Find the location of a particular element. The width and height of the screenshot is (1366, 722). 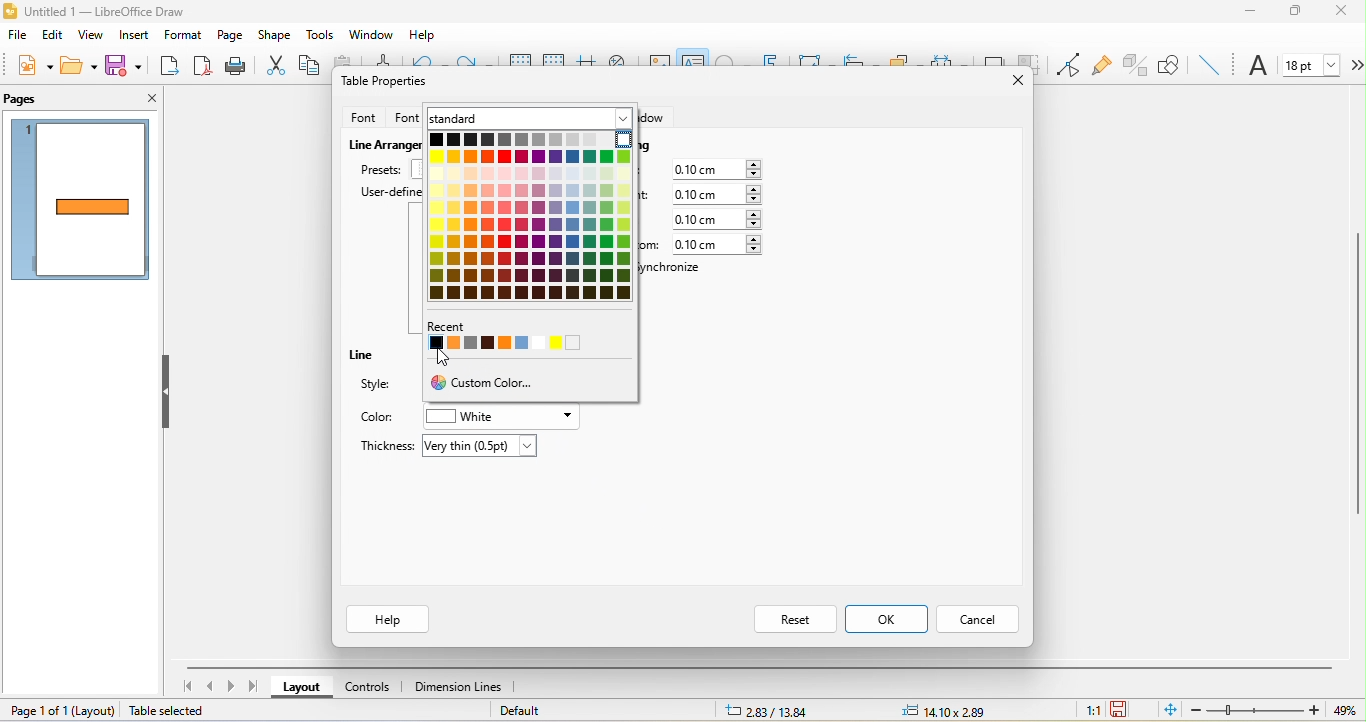

style is located at coordinates (385, 386).